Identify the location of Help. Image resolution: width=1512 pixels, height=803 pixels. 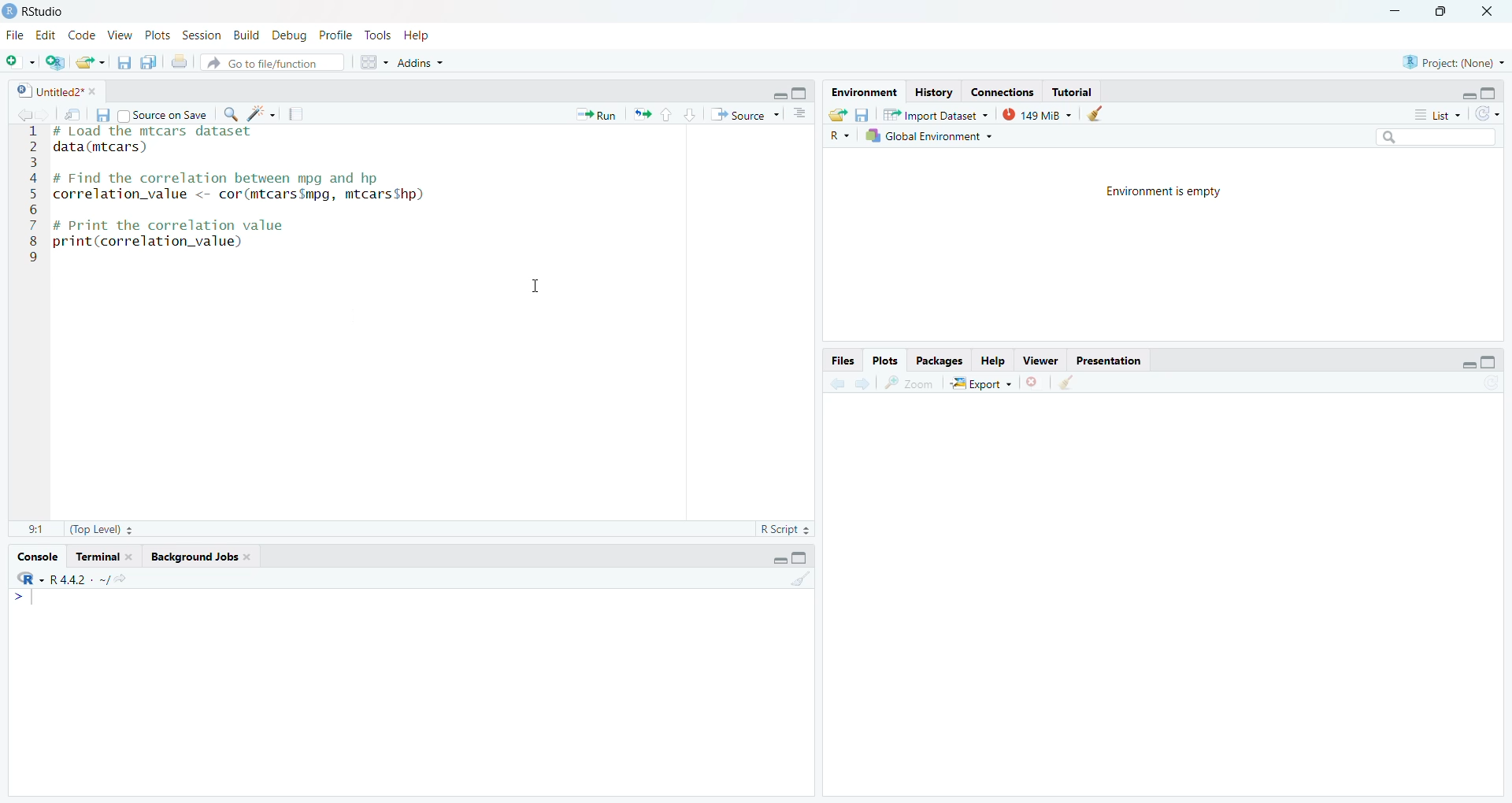
(417, 37).